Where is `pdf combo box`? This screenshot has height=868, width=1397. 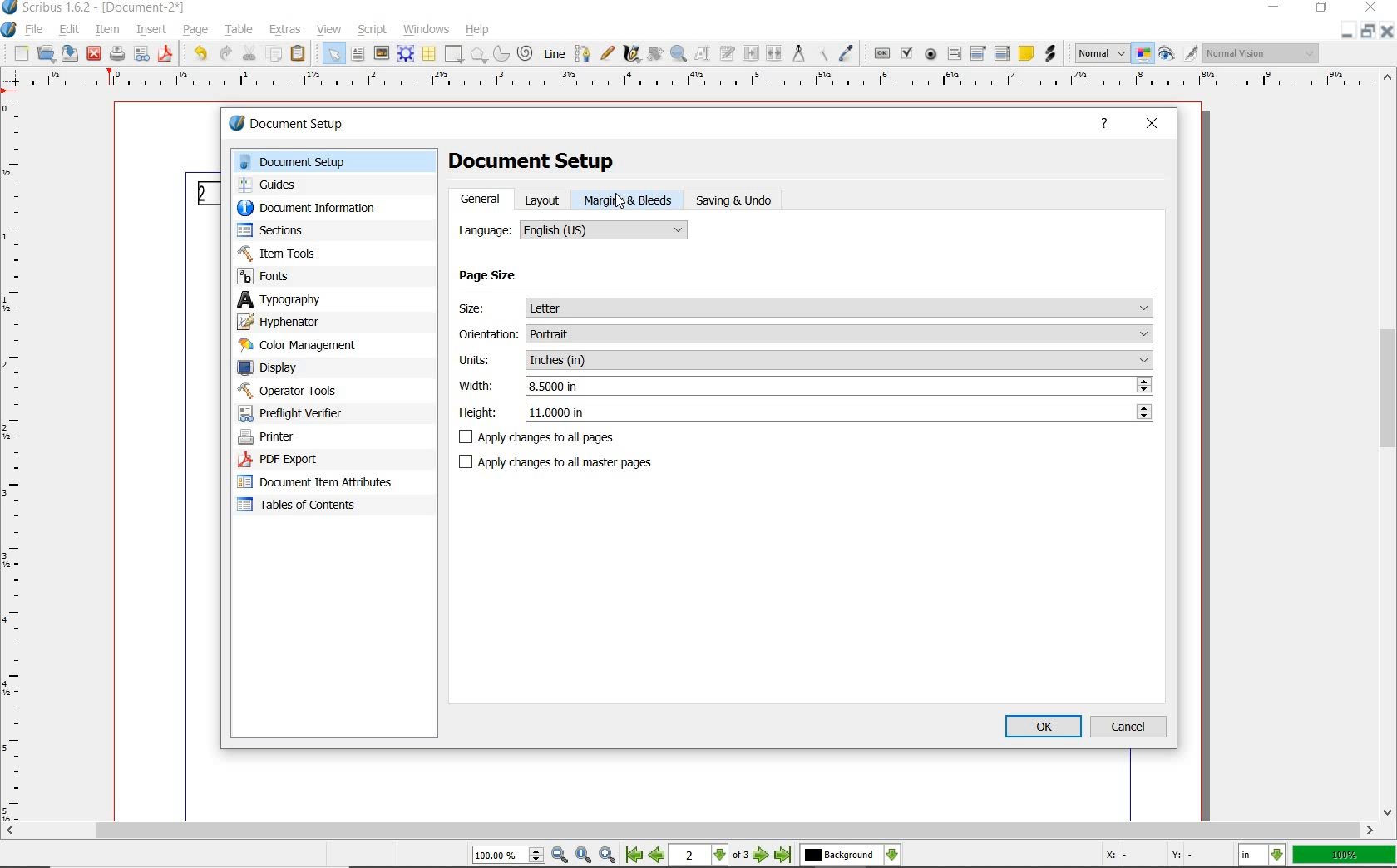
pdf combo box is located at coordinates (979, 55).